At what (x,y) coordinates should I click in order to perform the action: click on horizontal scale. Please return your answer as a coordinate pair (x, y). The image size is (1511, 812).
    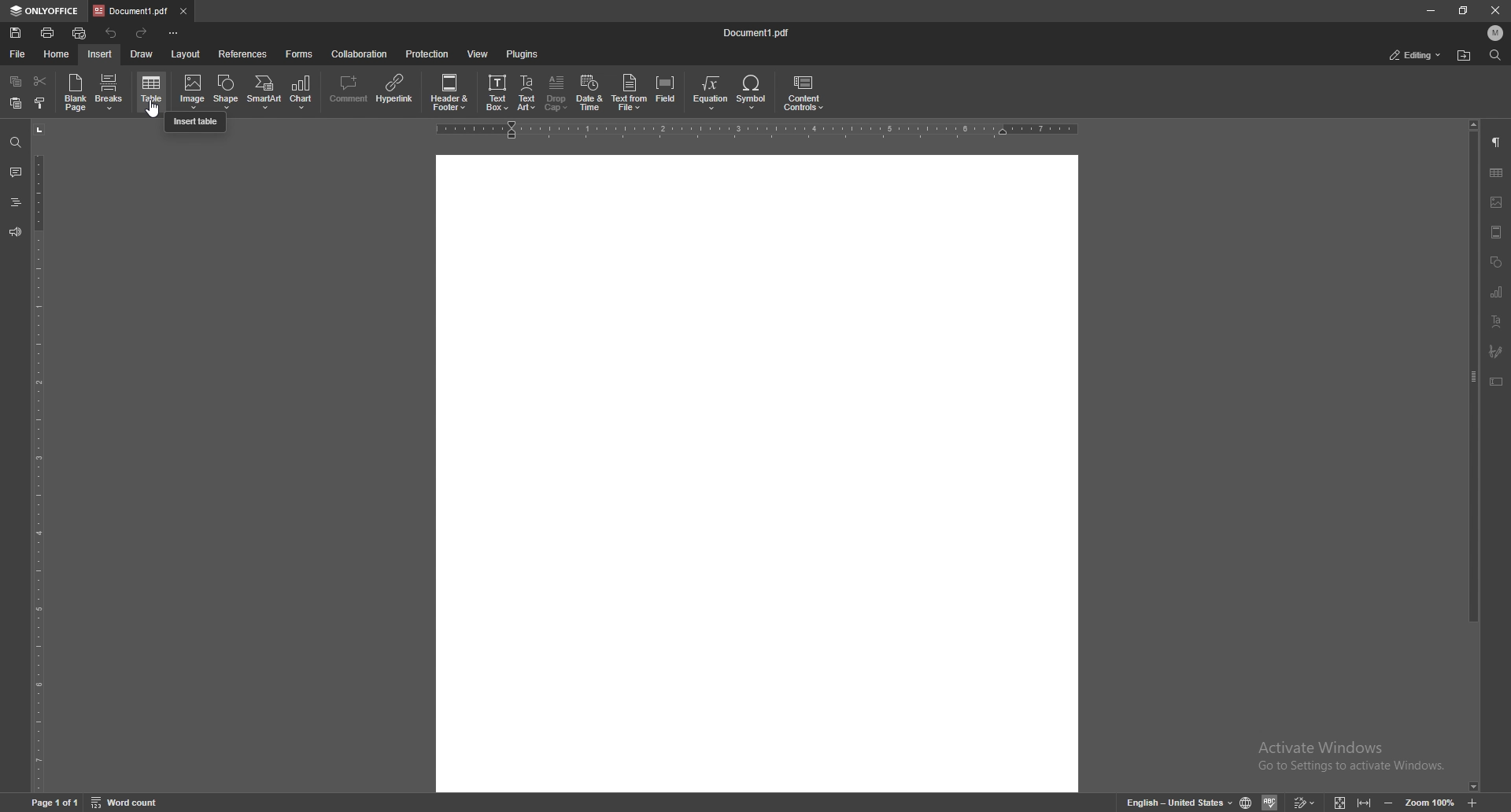
    Looking at the image, I should click on (754, 131).